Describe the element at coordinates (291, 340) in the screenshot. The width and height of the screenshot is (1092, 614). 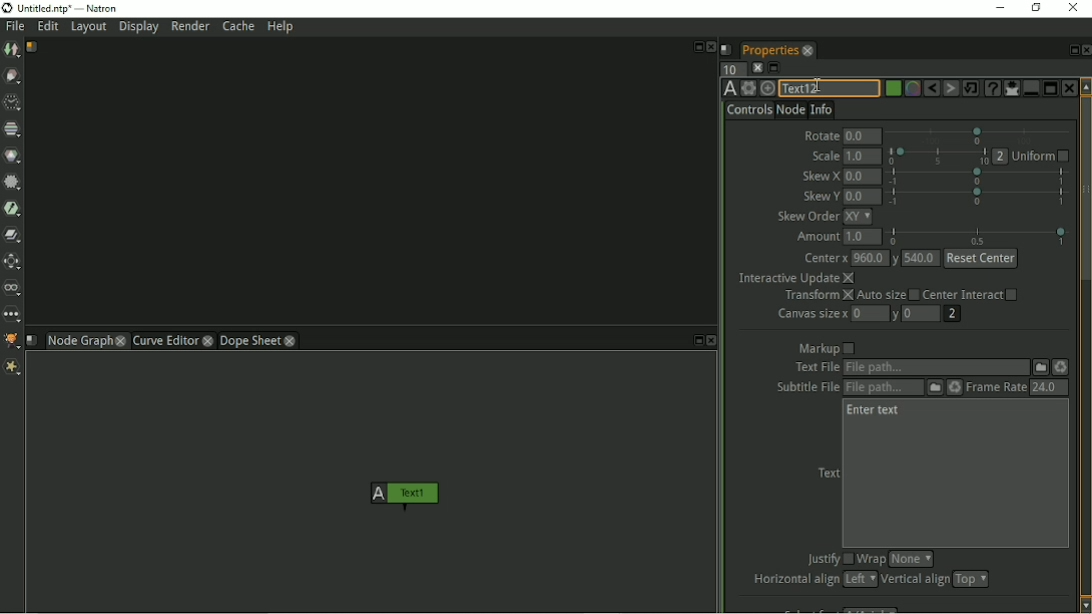
I see `close` at that location.